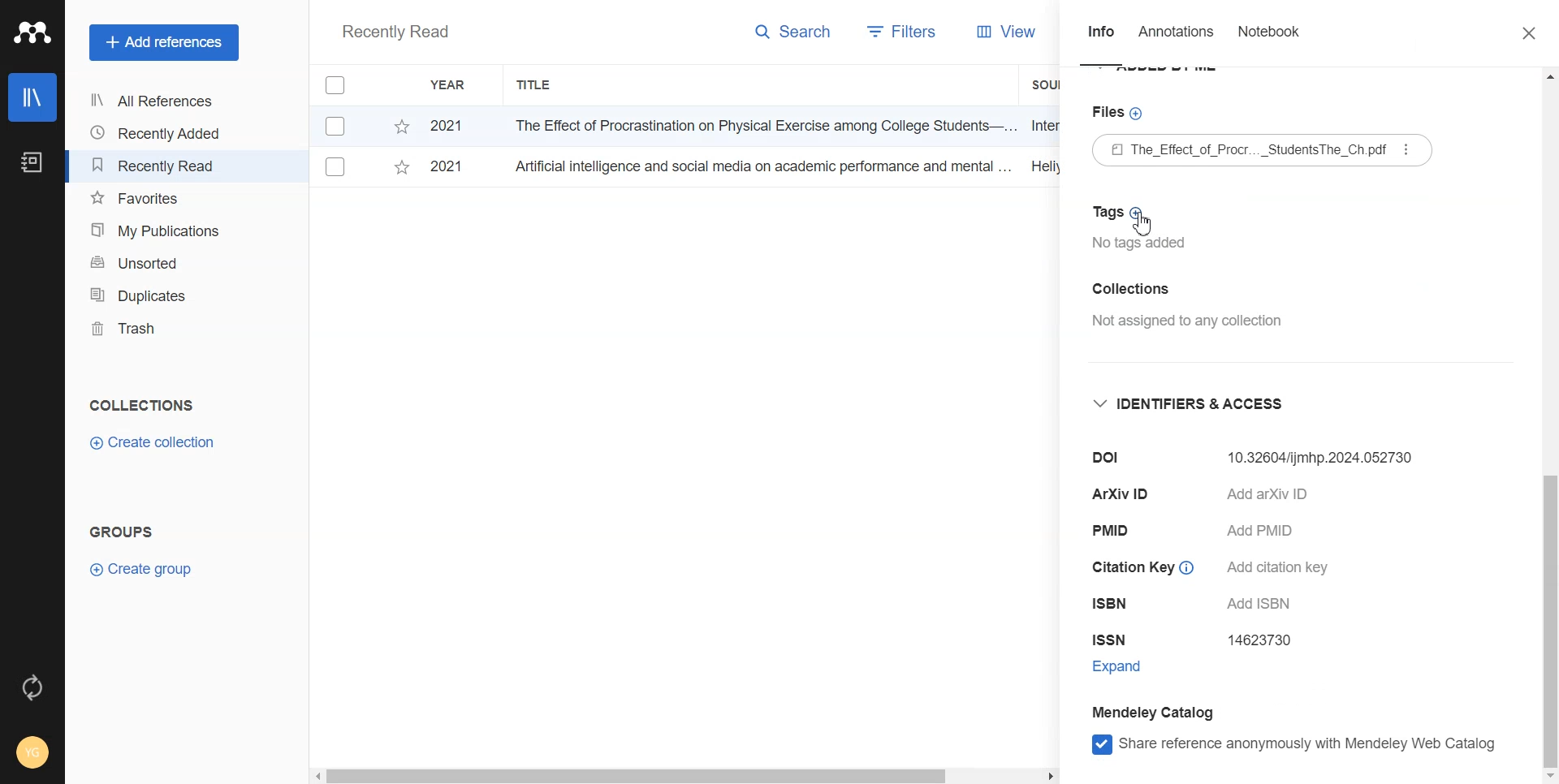  I want to click on Account, so click(34, 751).